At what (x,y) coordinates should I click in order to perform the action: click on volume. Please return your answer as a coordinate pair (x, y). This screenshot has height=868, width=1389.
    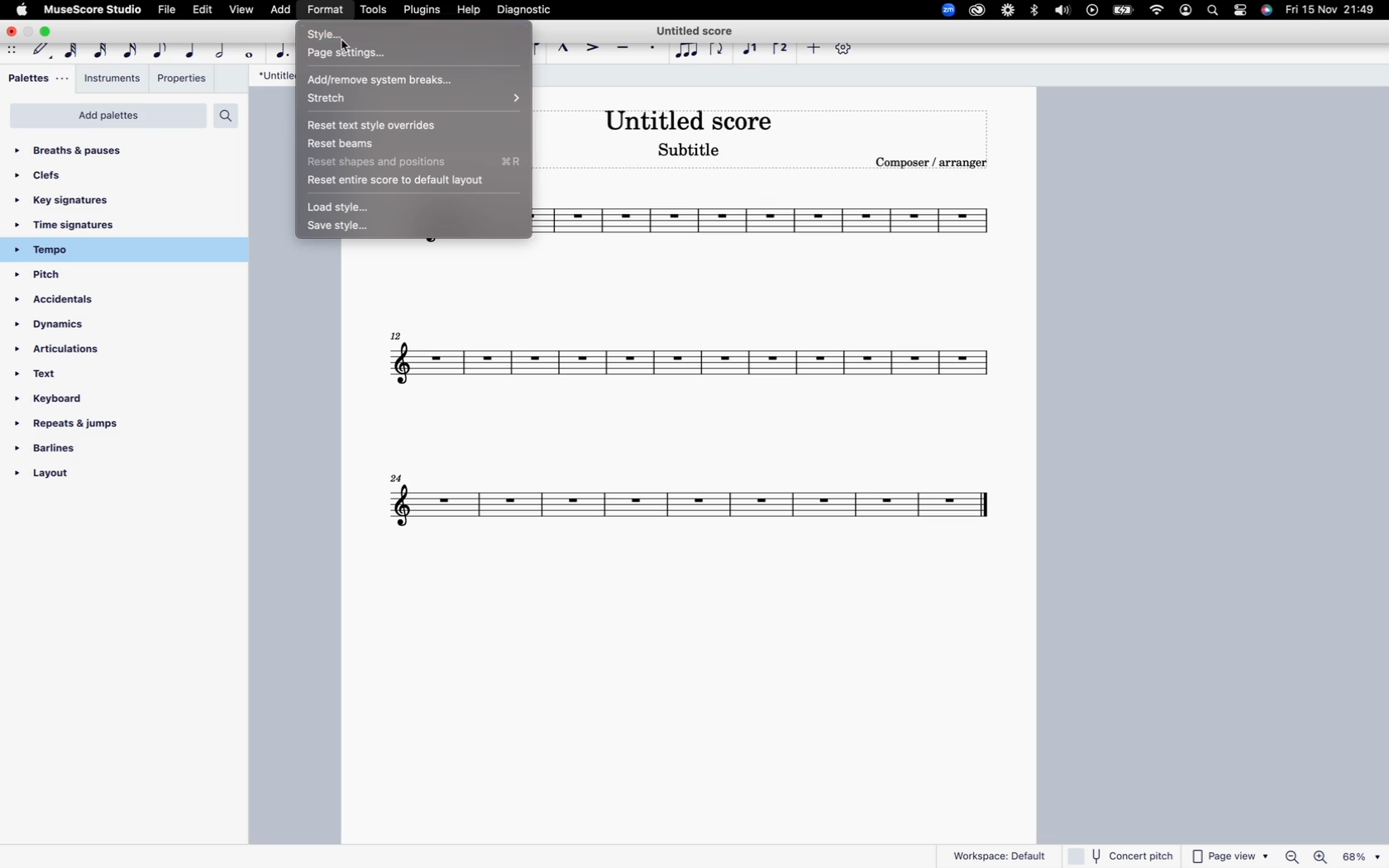
    Looking at the image, I should click on (1061, 12).